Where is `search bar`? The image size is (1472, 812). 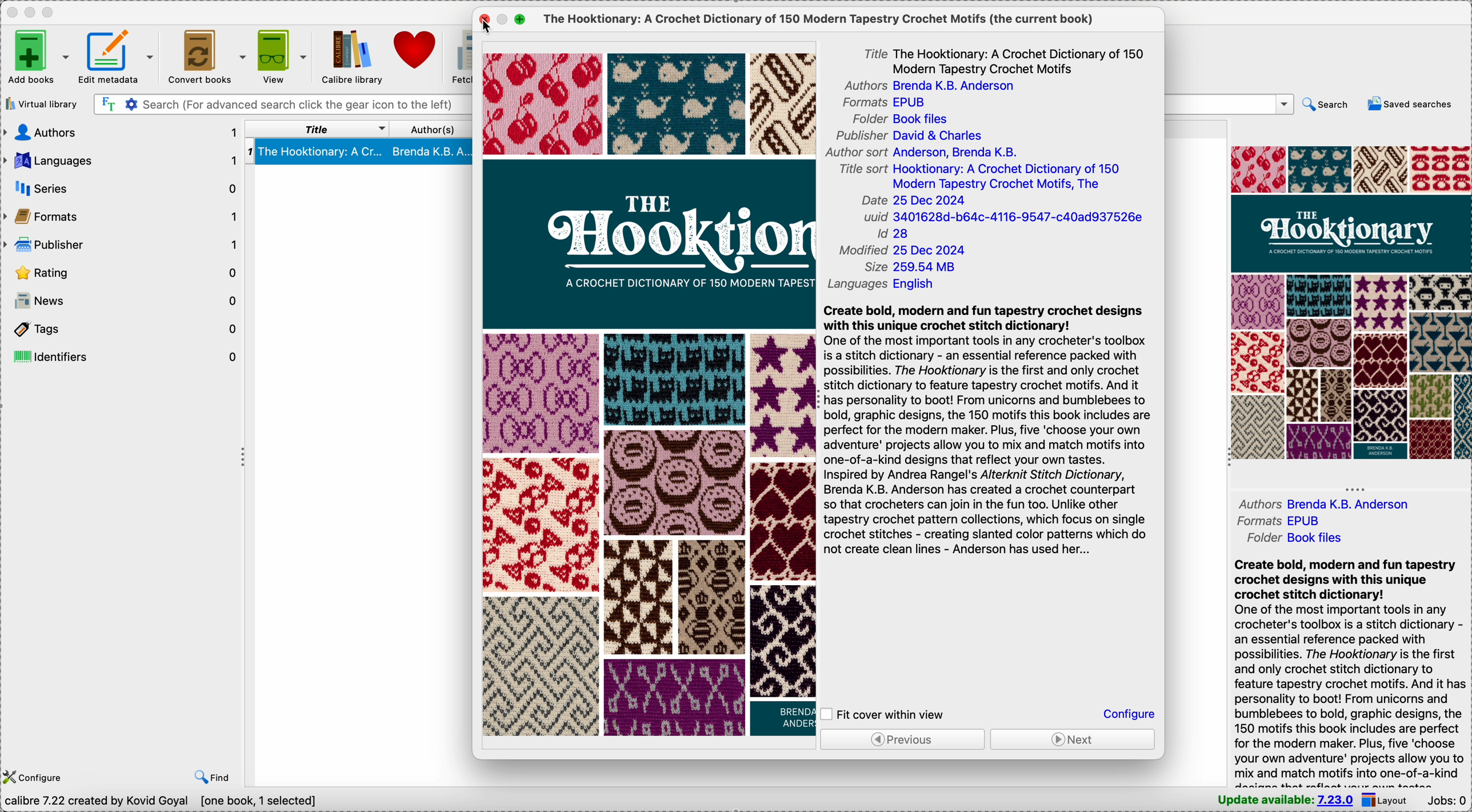
search bar is located at coordinates (282, 106).